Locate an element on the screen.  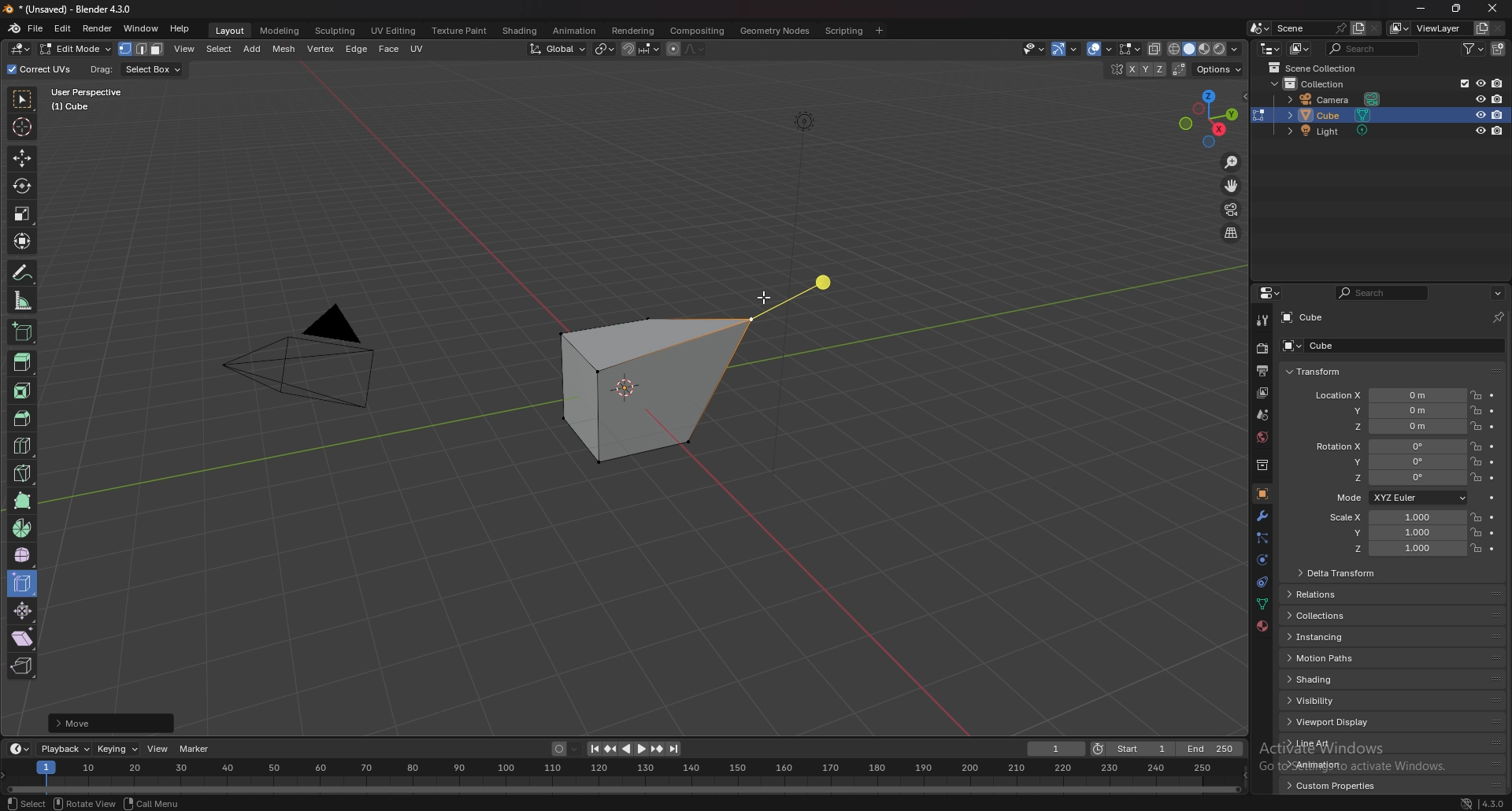
animate property is located at coordinates (1492, 533).